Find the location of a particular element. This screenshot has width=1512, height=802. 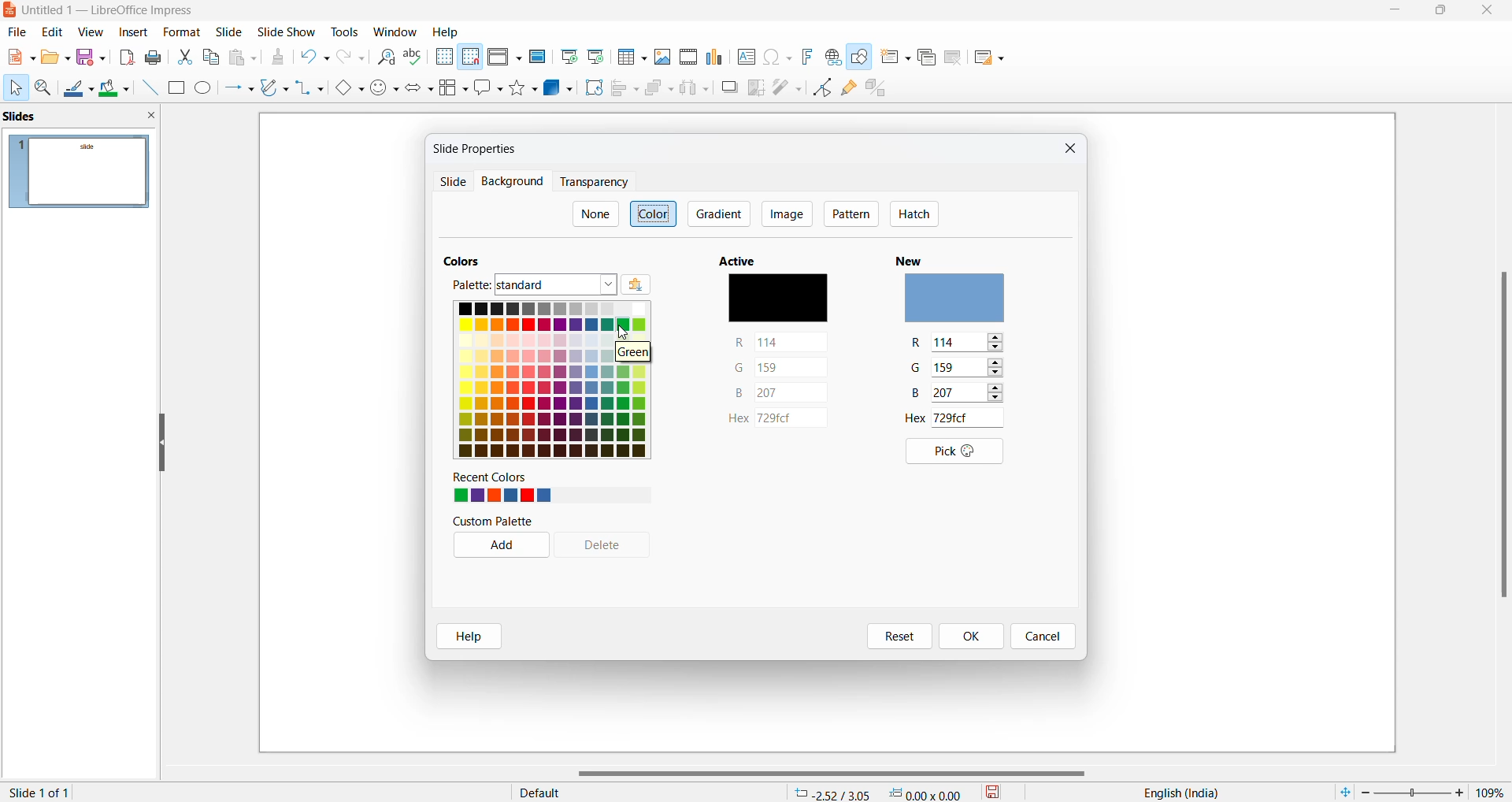

snap to grid is located at coordinates (470, 58).